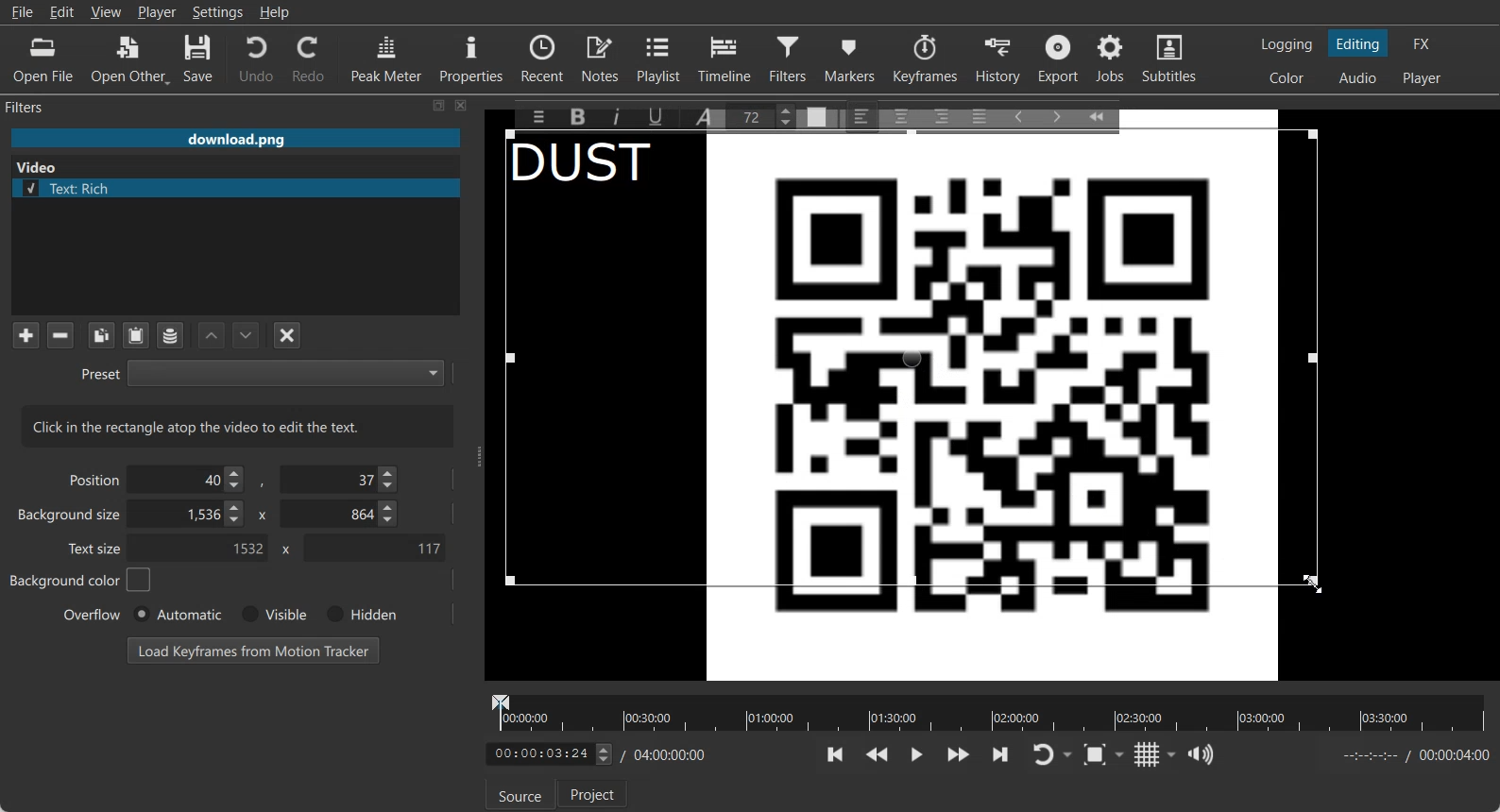 The height and width of the screenshot is (812, 1500). What do you see at coordinates (862, 115) in the screenshot?
I see `Left` at bounding box center [862, 115].